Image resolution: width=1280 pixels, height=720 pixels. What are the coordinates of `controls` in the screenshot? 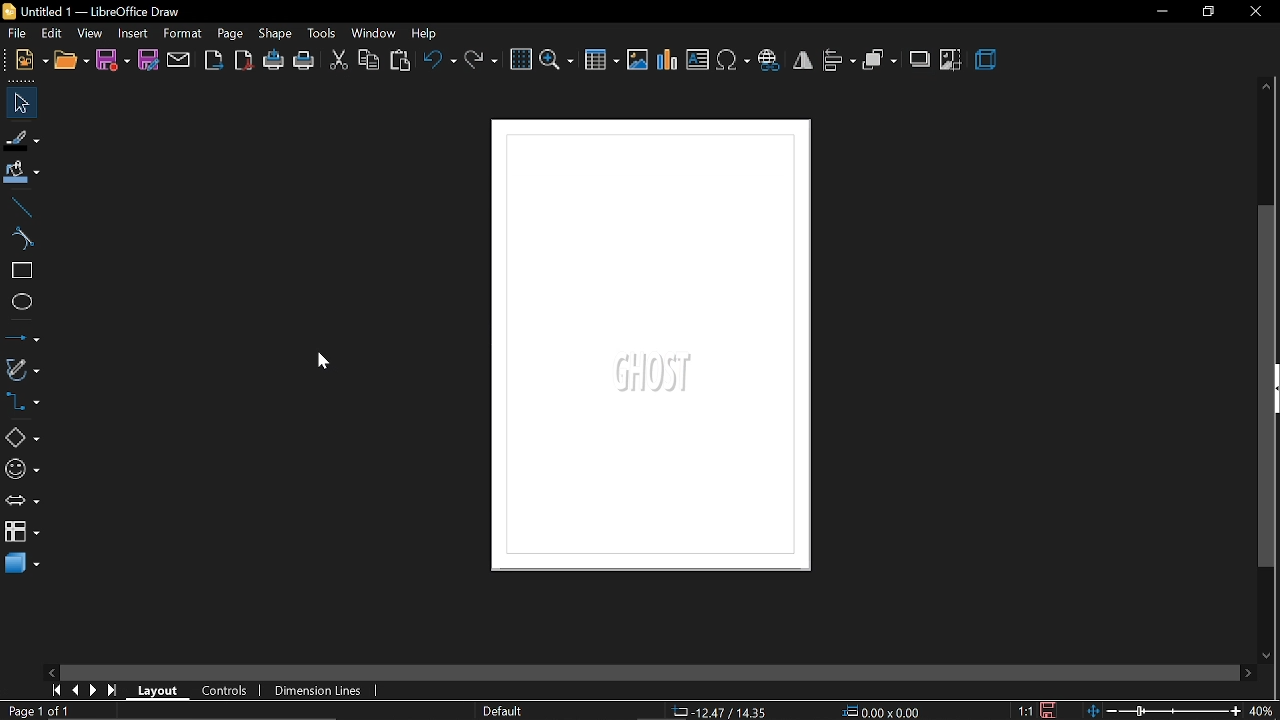 It's located at (219, 690).